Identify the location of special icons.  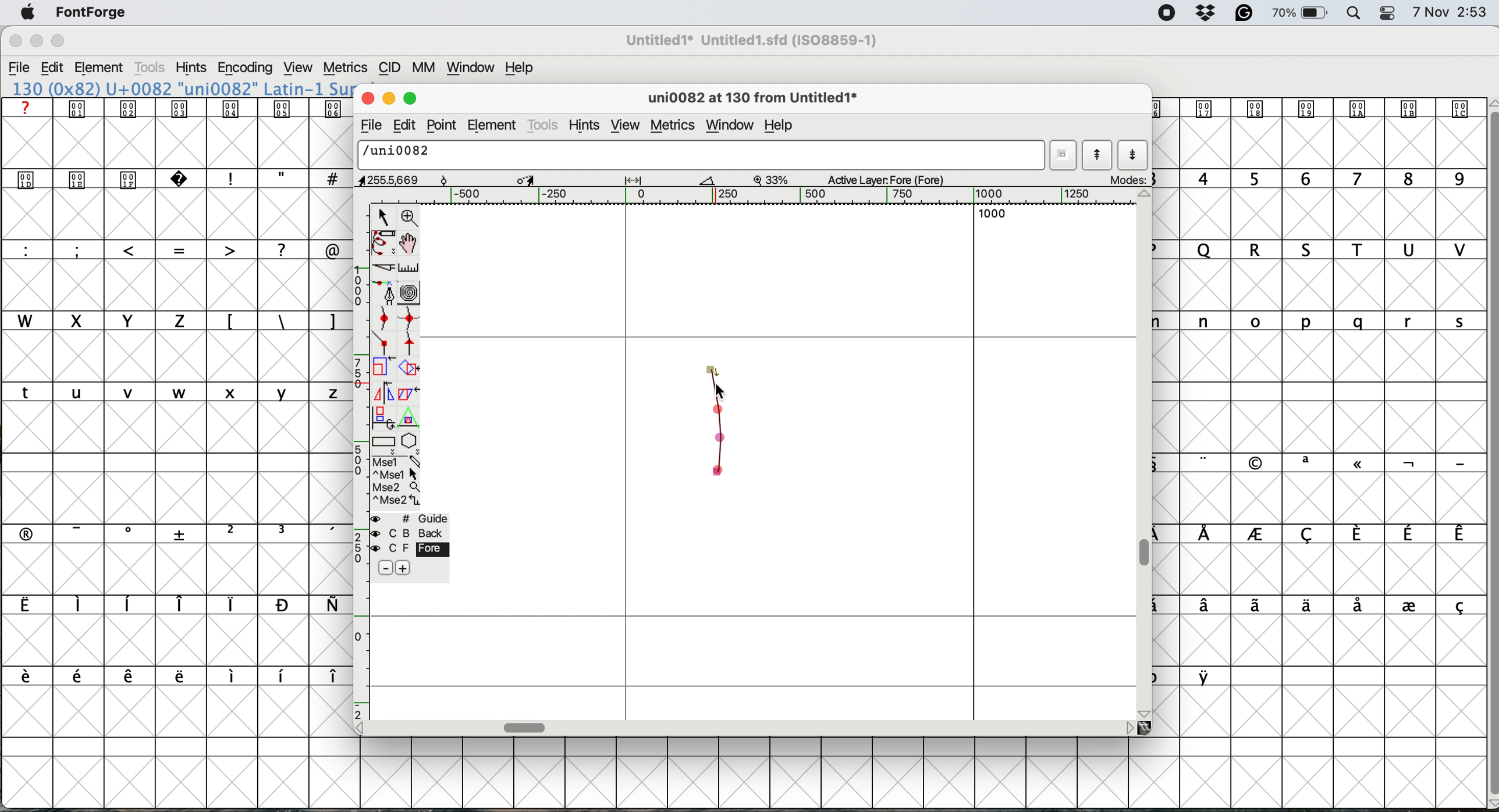
(177, 108).